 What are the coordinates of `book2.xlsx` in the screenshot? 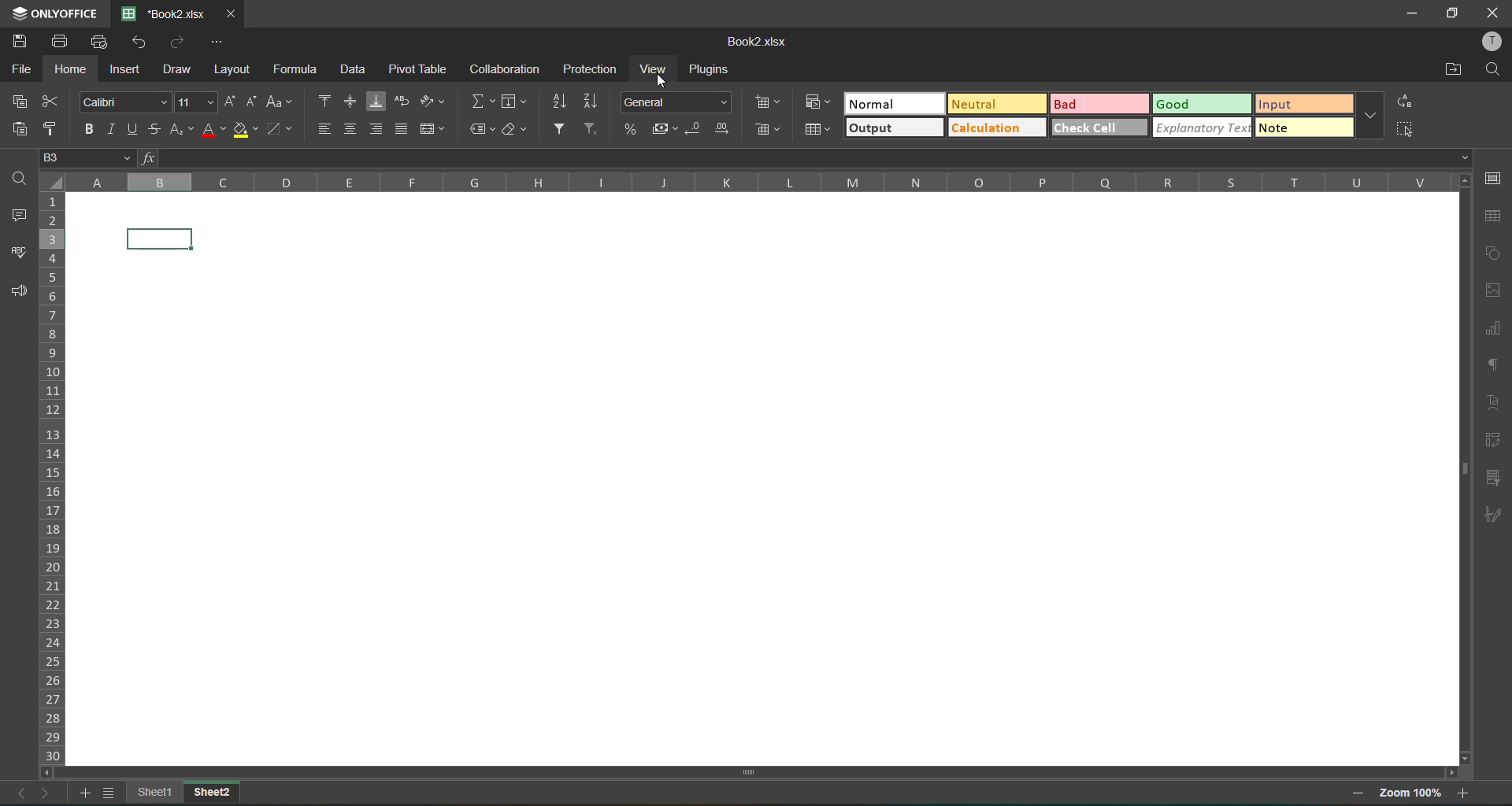 It's located at (165, 13).